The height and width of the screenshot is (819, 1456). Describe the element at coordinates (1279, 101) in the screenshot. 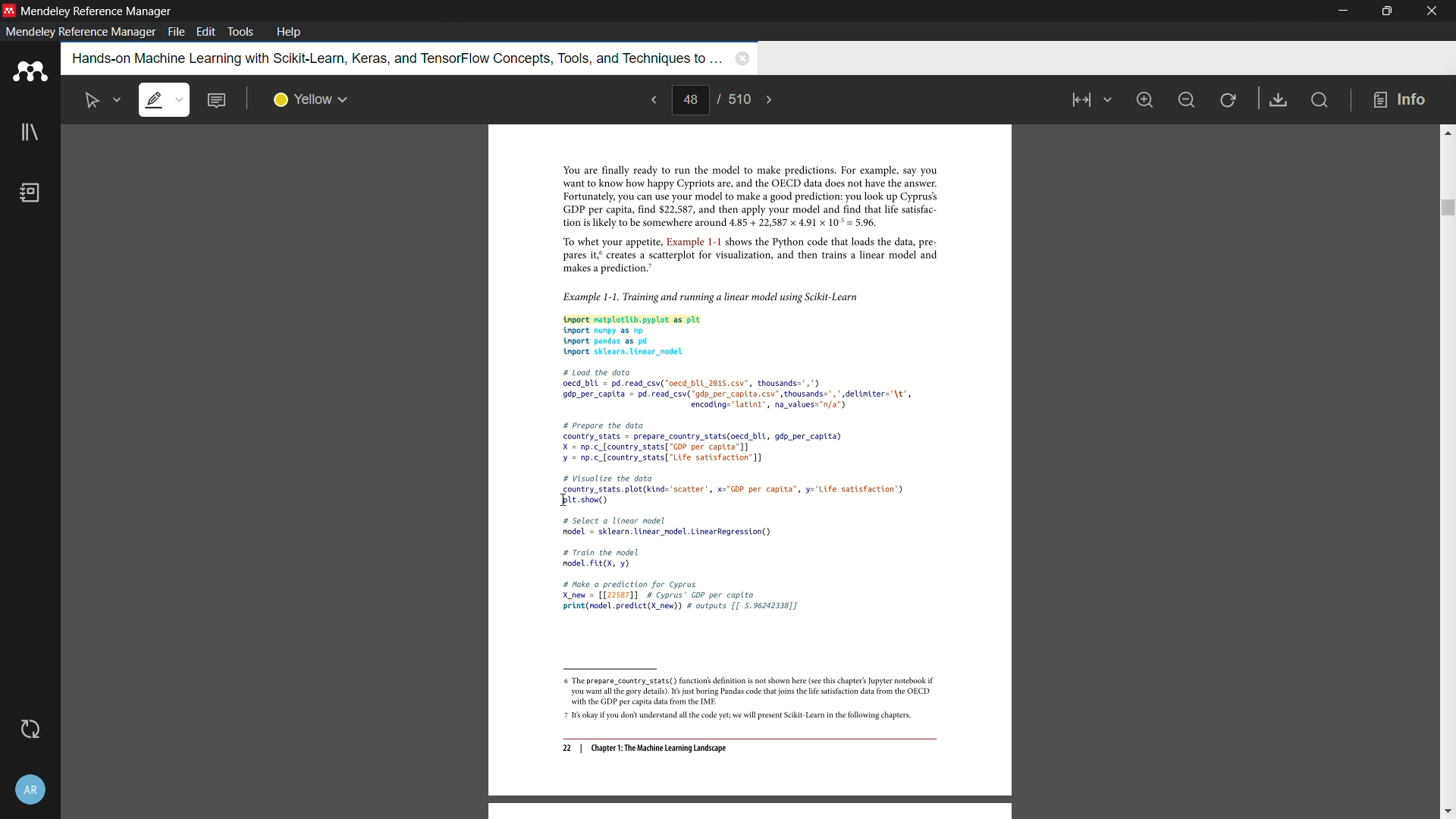

I see `save` at that location.